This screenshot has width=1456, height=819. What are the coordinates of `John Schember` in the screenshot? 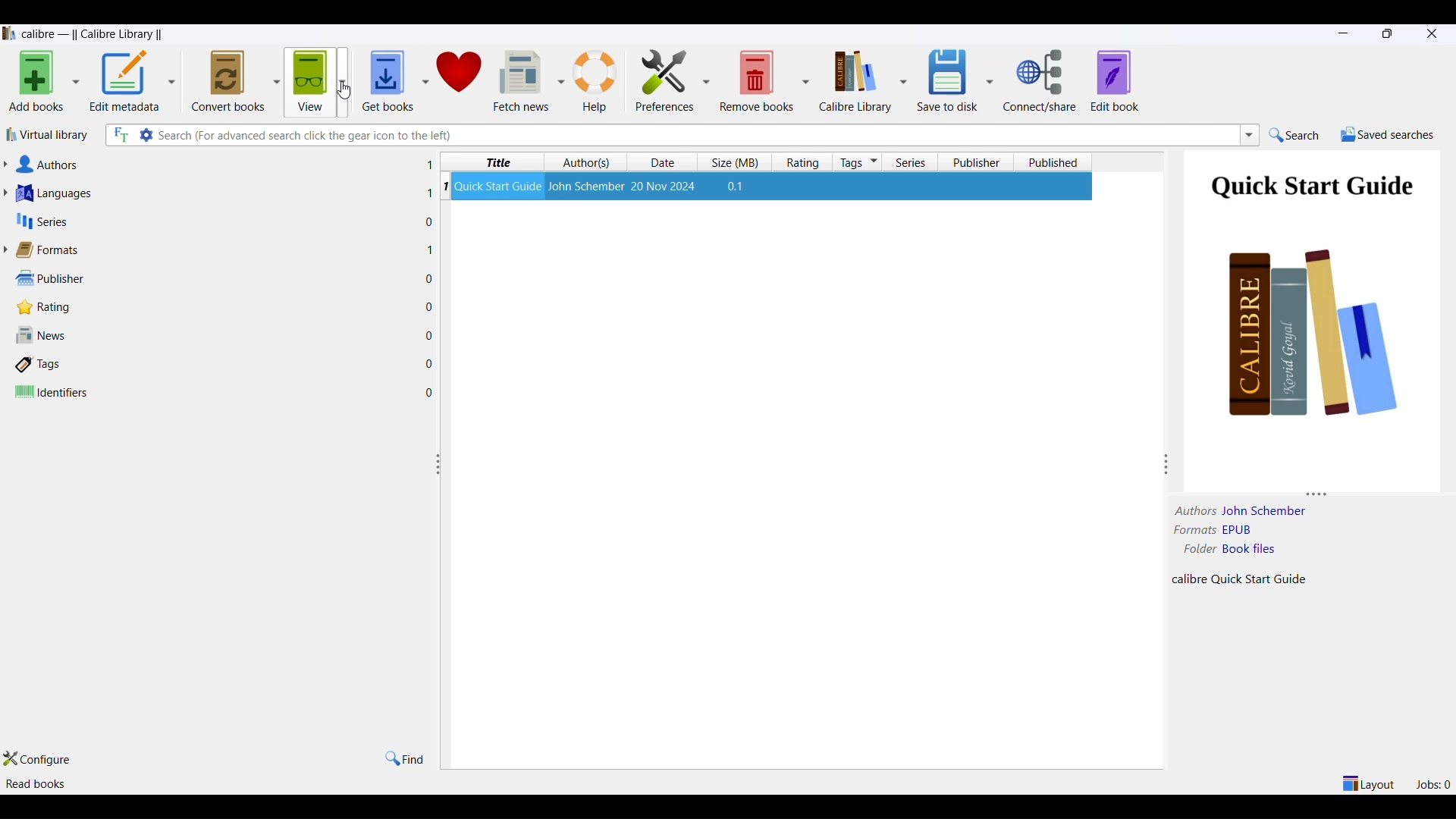 It's located at (1267, 510).